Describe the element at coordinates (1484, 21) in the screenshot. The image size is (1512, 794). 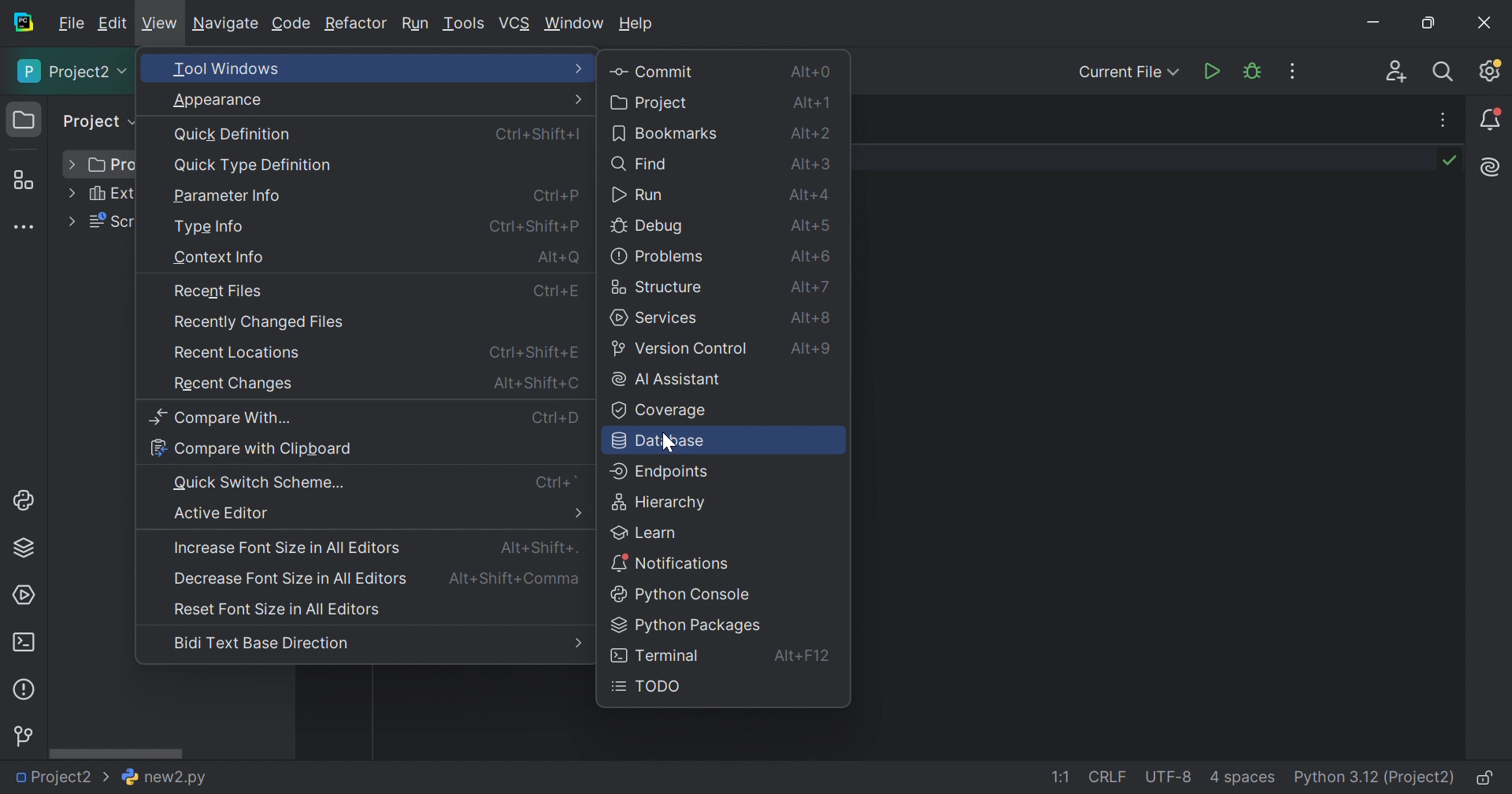
I see `Close` at that location.